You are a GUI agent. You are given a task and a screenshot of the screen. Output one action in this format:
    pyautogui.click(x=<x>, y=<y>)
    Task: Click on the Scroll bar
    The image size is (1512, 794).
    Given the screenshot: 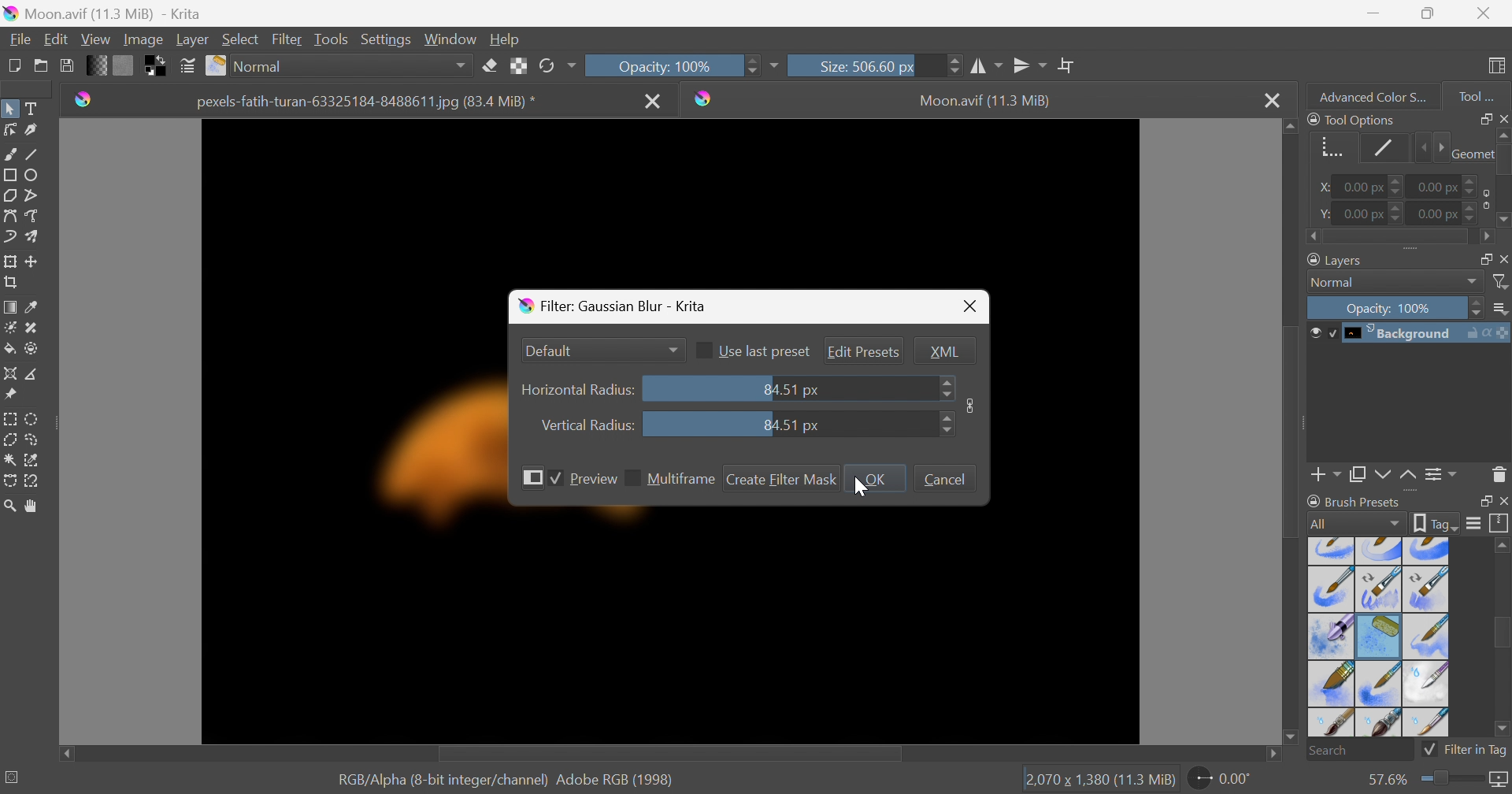 What is the action you would take?
    pyautogui.click(x=1399, y=238)
    